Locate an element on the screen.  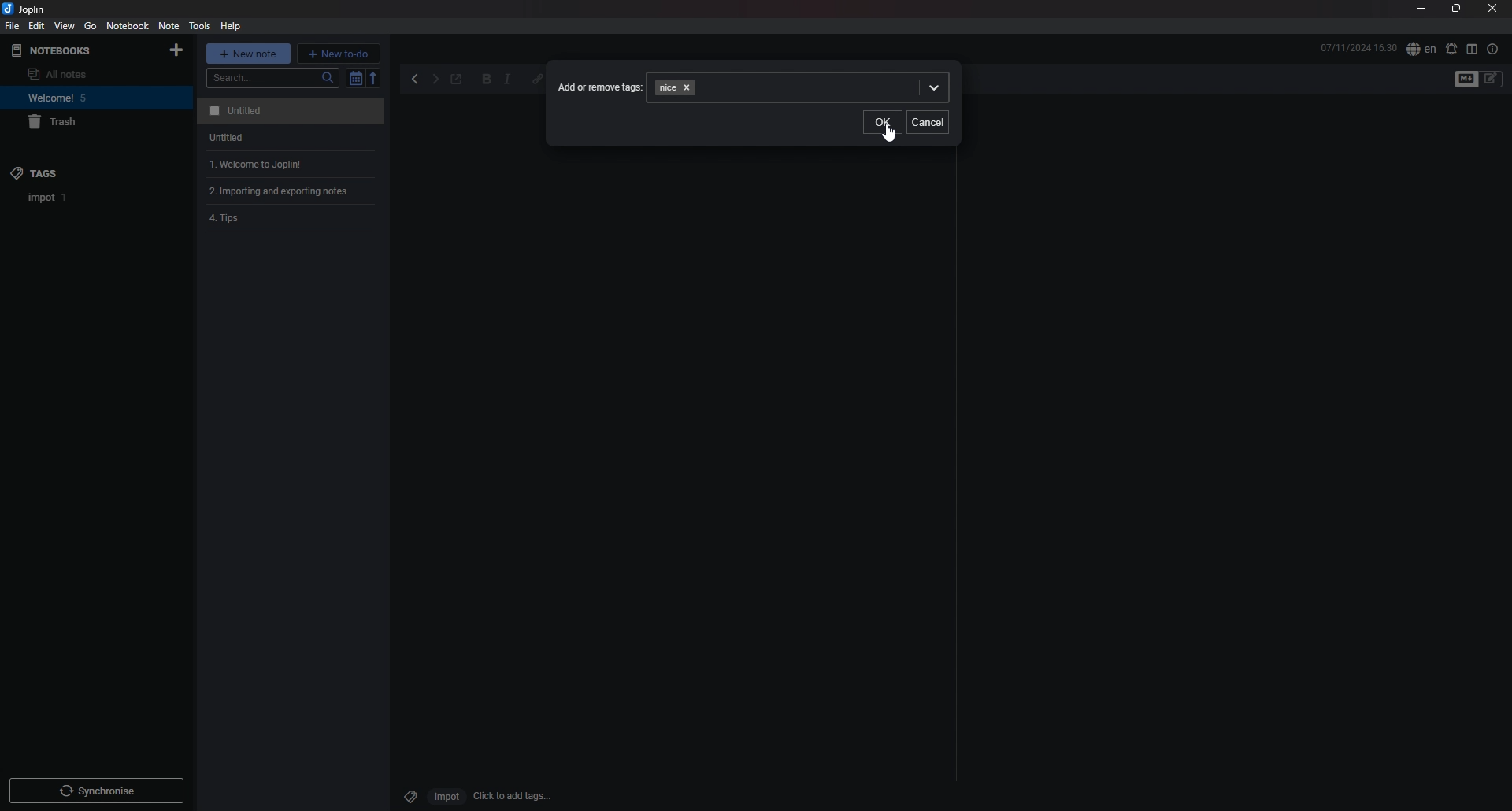
notebook is located at coordinates (128, 26).